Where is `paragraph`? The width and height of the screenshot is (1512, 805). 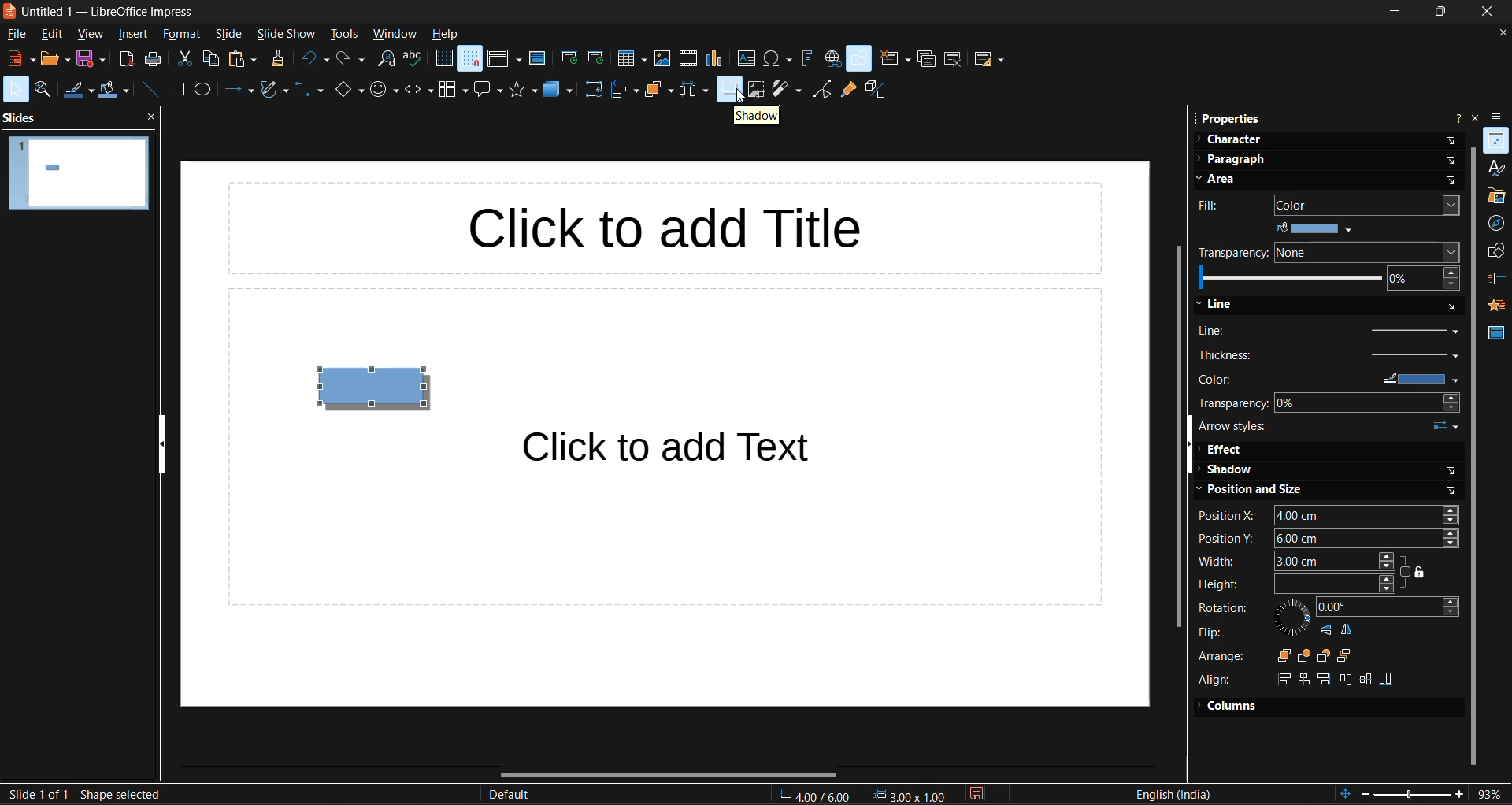 paragraph is located at coordinates (1231, 158).